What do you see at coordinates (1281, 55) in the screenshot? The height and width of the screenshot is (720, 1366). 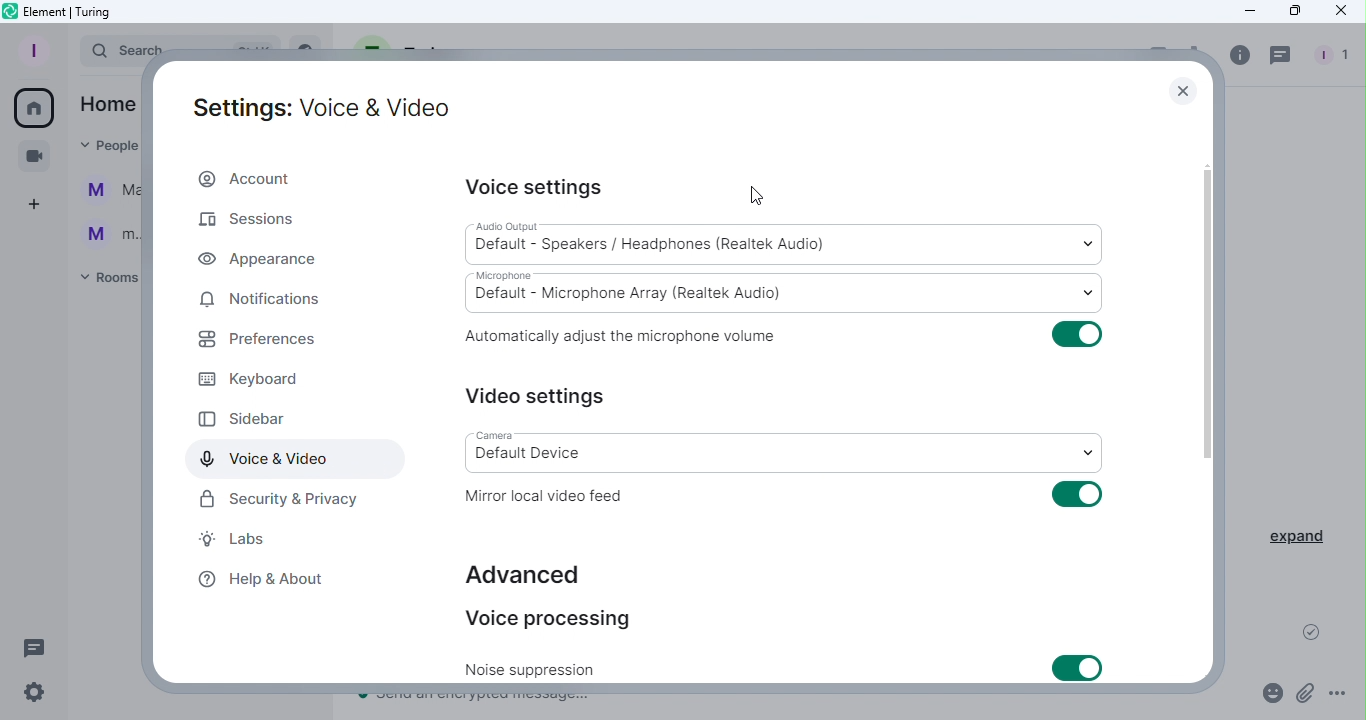 I see `Threads` at bounding box center [1281, 55].